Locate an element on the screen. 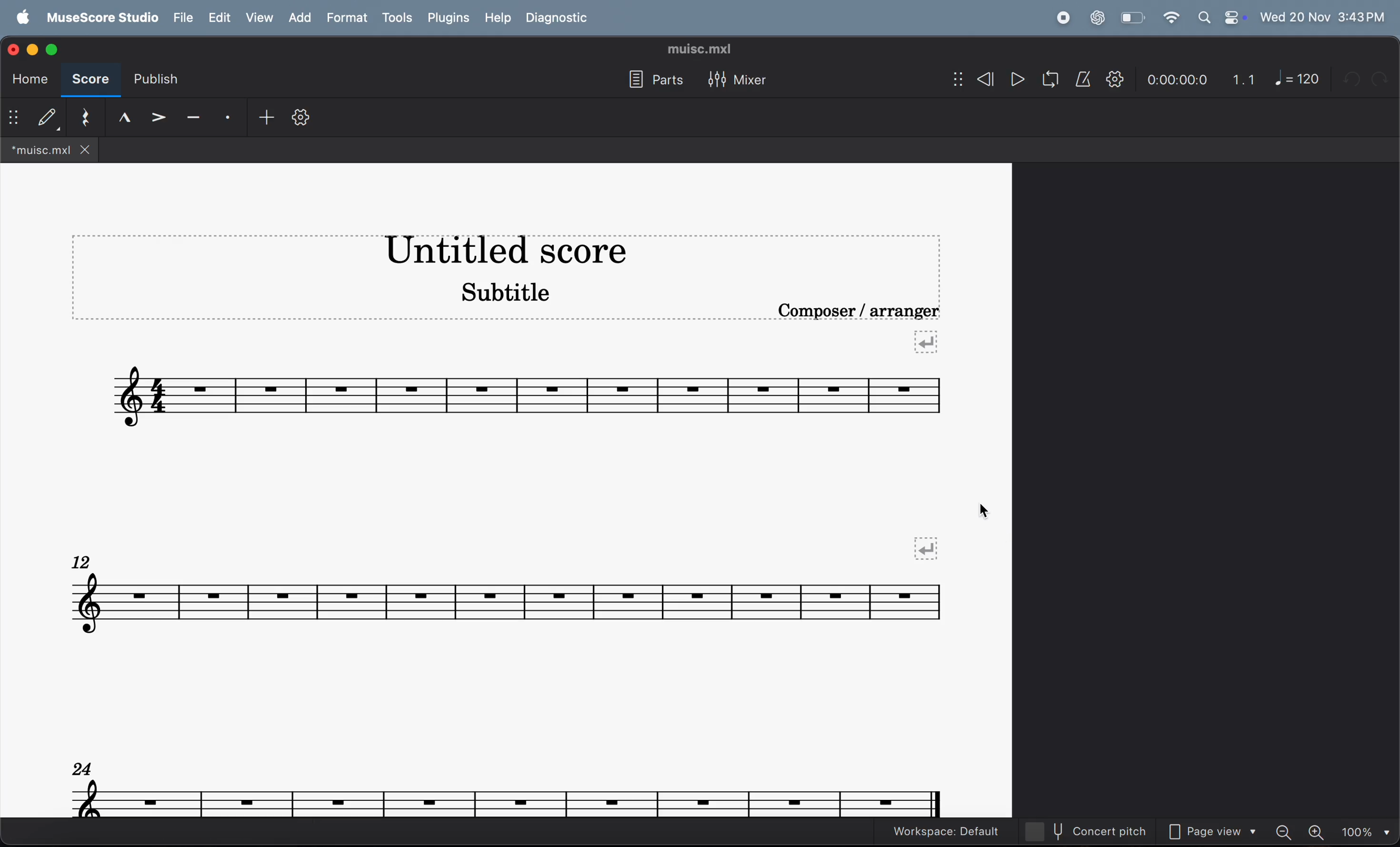 Image resolution: width=1400 pixels, height=847 pixels. toolbar setting is located at coordinates (303, 119).